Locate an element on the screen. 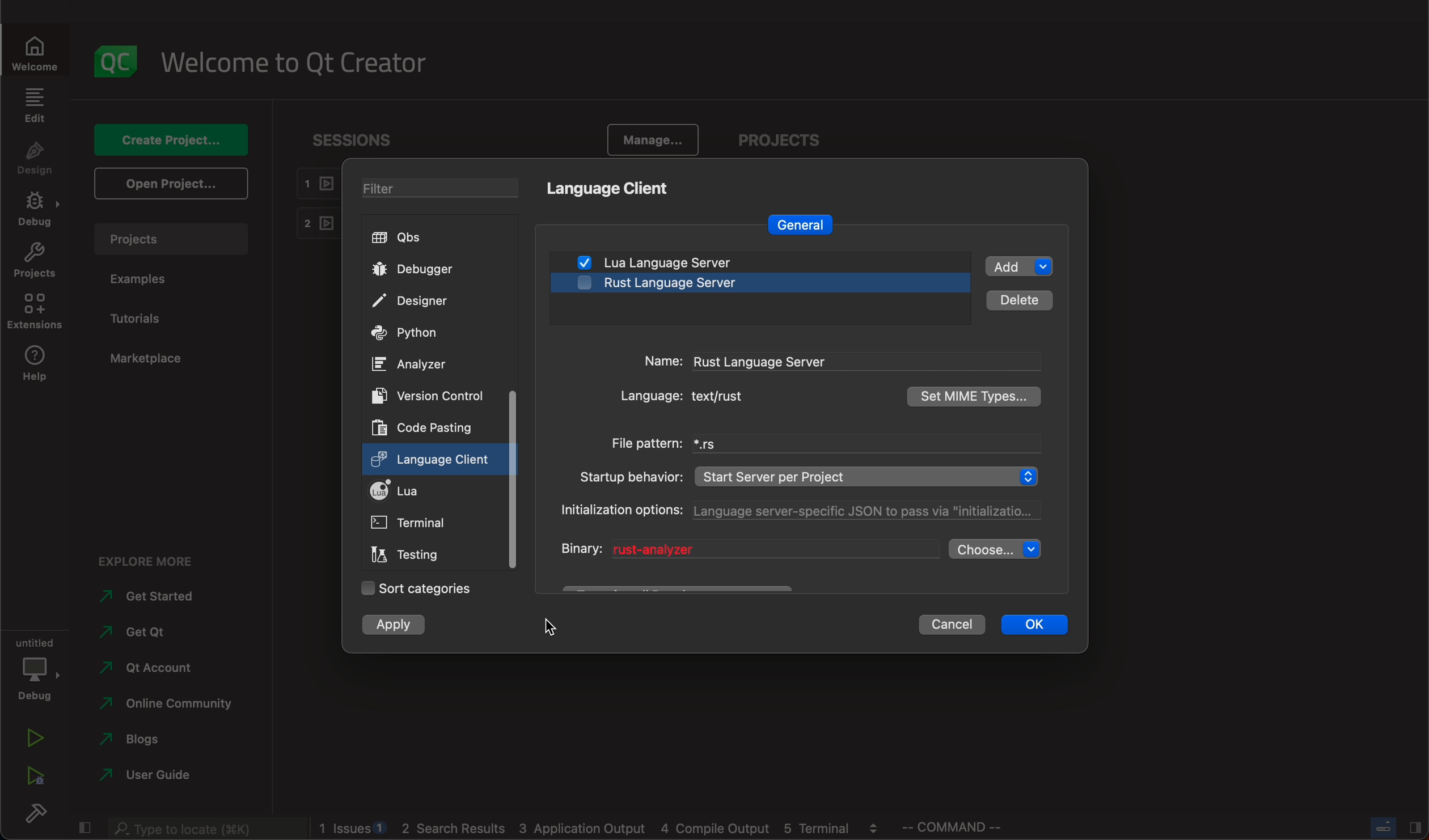  create is located at coordinates (167, 142).